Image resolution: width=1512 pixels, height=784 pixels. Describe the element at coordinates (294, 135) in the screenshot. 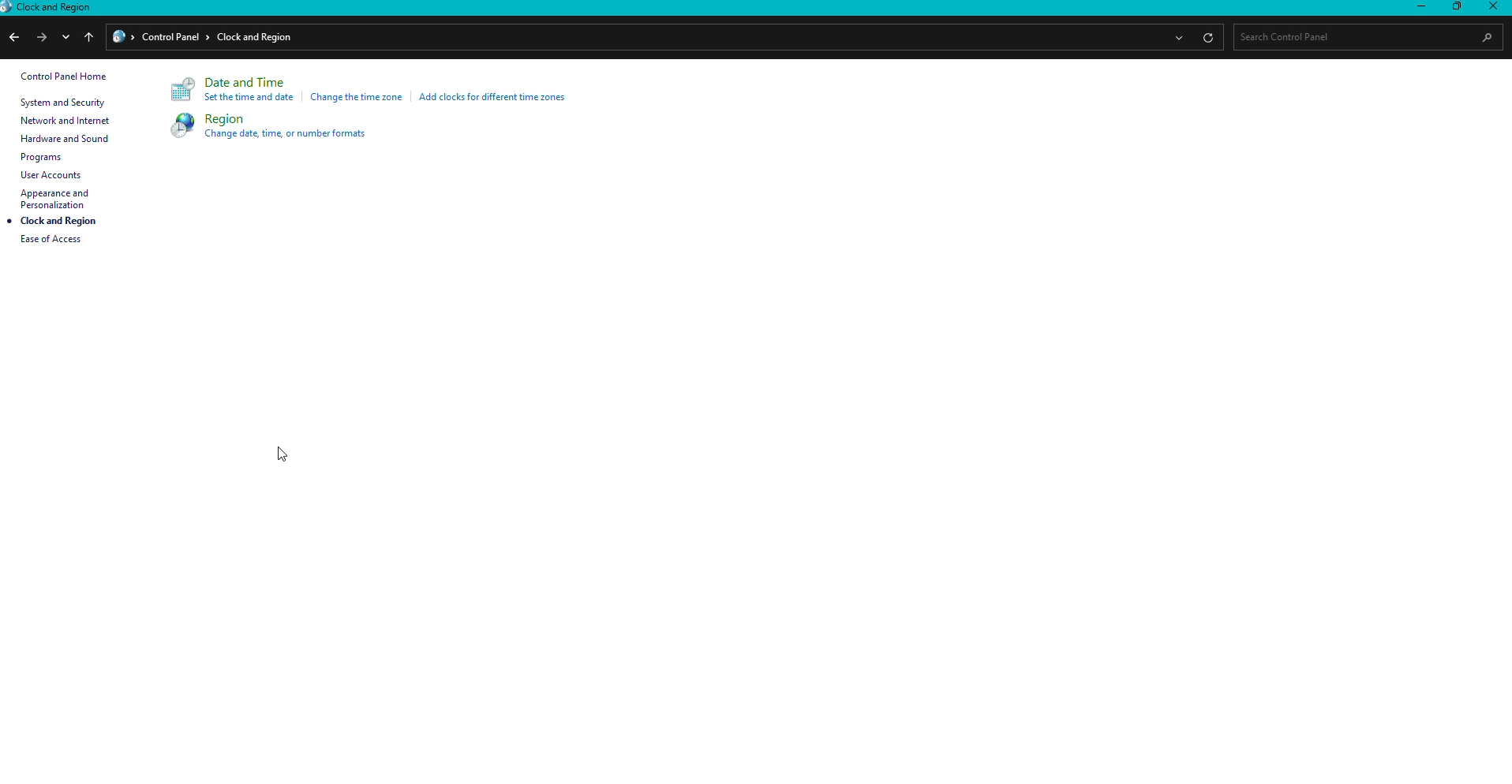

I see `Change date, time` at that location.